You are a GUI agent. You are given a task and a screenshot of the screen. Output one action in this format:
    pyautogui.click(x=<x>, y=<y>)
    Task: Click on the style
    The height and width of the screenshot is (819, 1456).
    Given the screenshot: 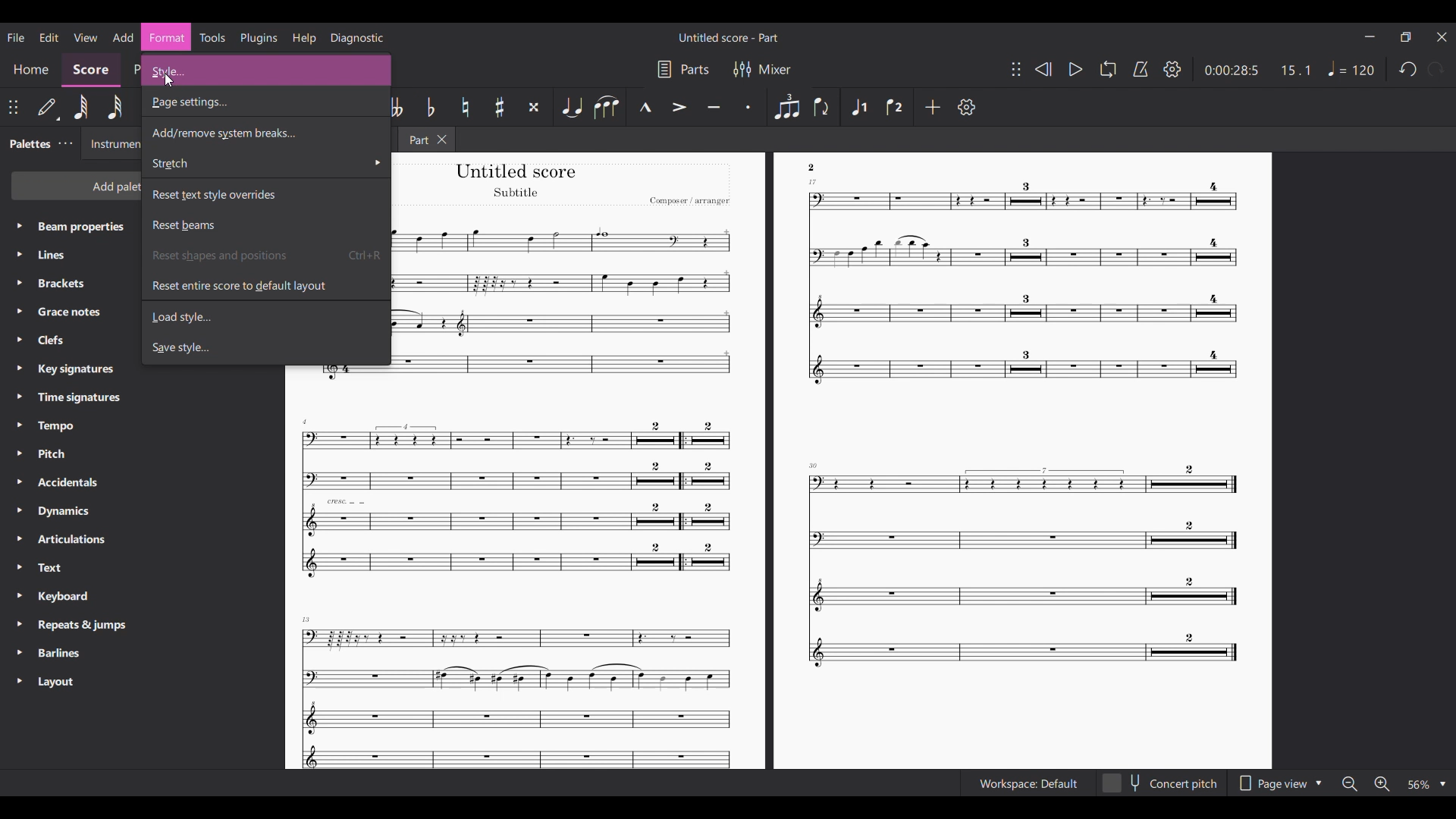 What is the action you would take?
    pyautogui.click(x=262, y=72)
    